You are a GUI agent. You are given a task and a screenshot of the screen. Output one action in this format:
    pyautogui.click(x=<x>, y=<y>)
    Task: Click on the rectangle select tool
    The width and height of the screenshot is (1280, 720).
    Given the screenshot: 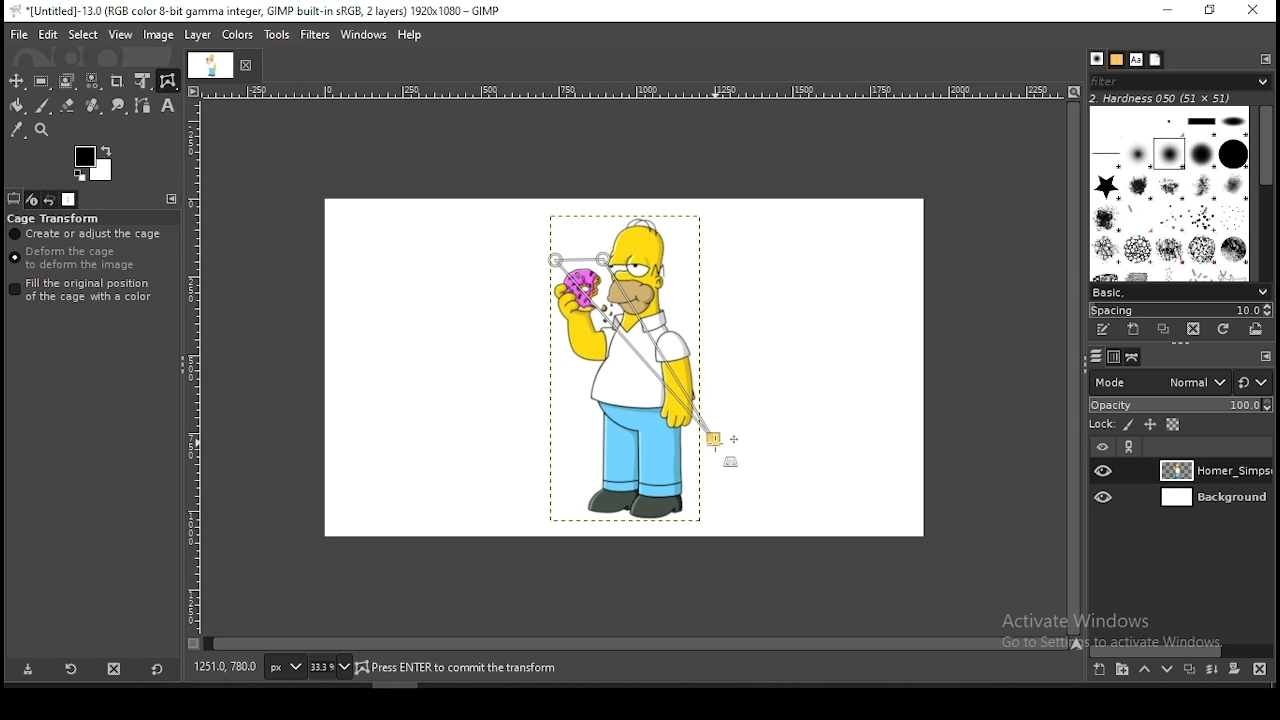 What is the action you would take?
    pyautogui.click(x=42, y=81)
    